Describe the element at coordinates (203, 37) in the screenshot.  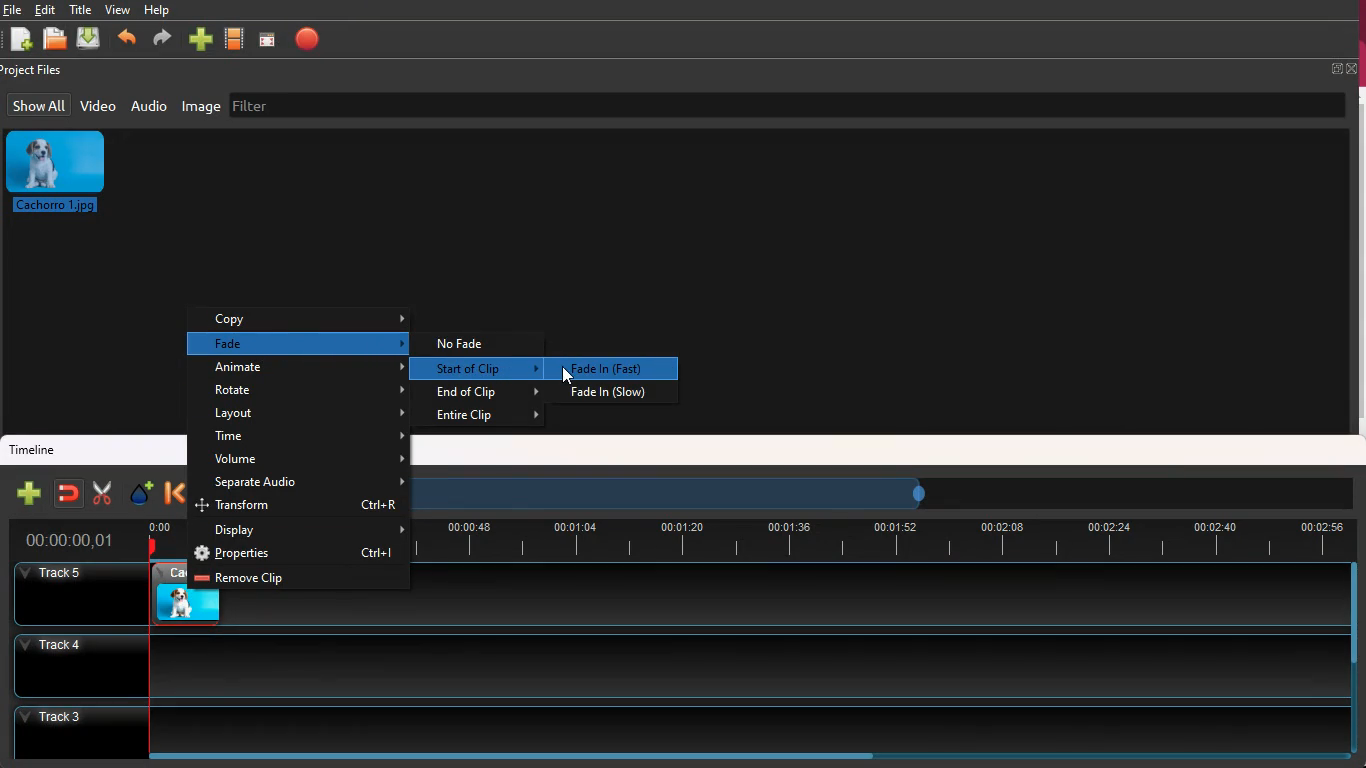
I see `new` at that location.